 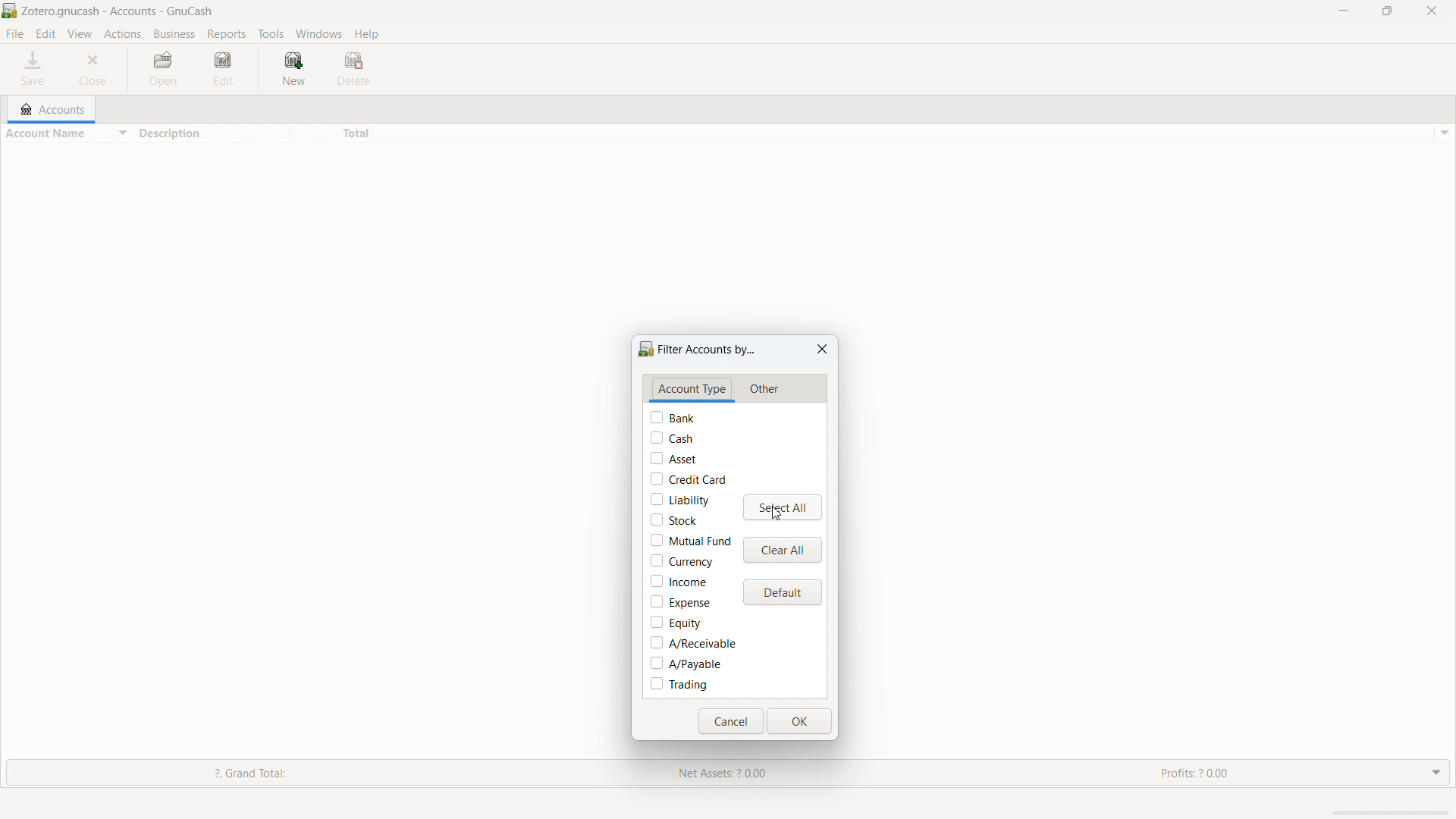 I want to click on tools, so click(x=271, y=33).